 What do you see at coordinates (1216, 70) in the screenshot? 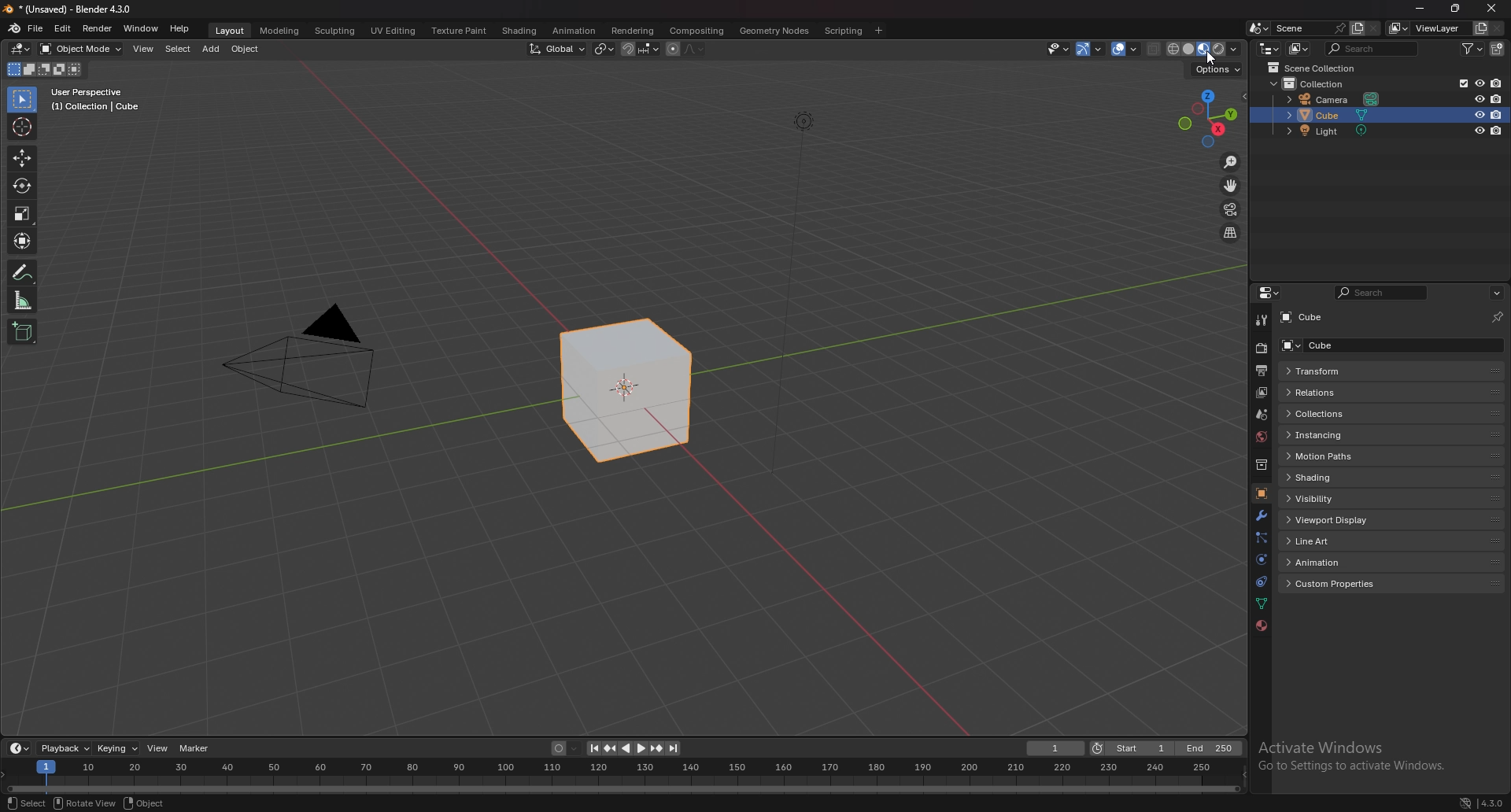
I see `options` at bounding box center [1216, 70].